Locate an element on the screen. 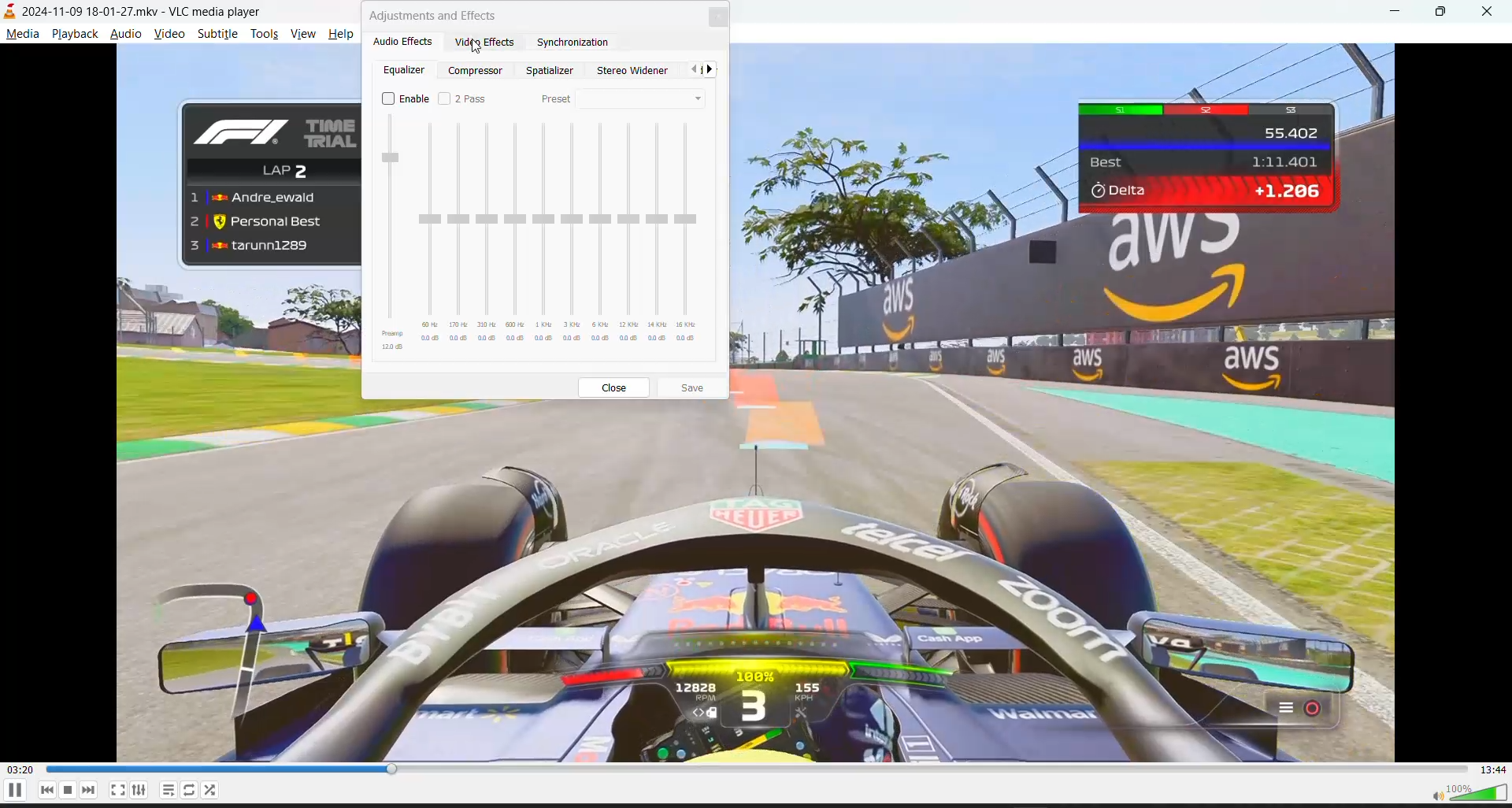 The image size is (1512, 808). playback is located at coordinates (73, 33).